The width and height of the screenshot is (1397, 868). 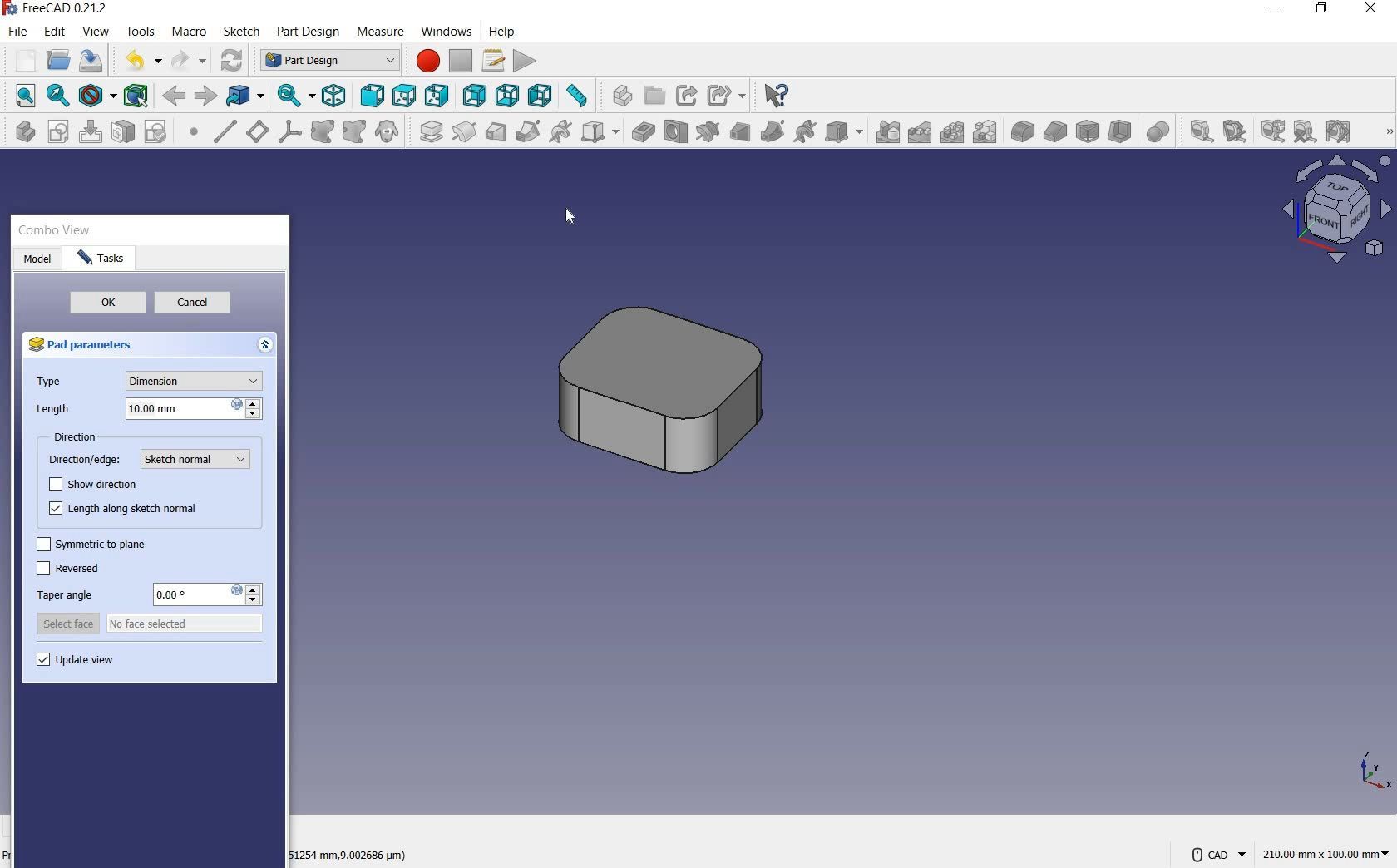 What do you see at coordinates (17, 32) in the screenshot?
I see `file` at bounding box center [17, 32].